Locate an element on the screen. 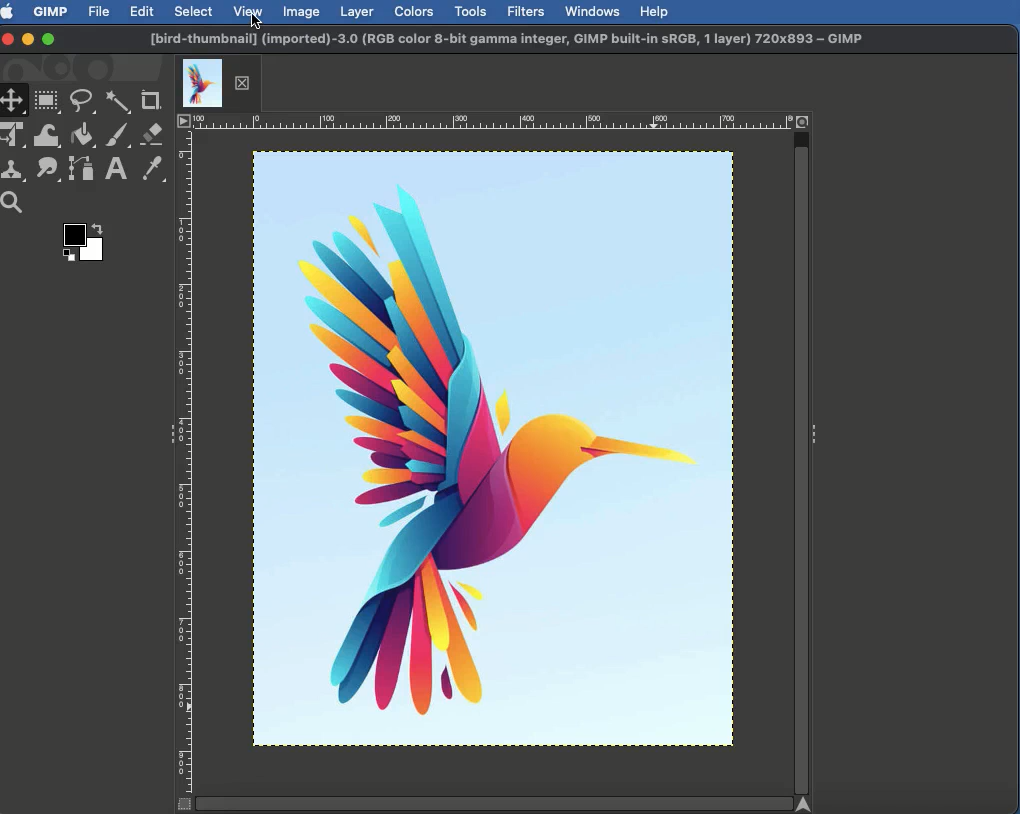 Image resolution: width=1020 pixels, height=814 pixels. View is located at coordinates (249, 10).